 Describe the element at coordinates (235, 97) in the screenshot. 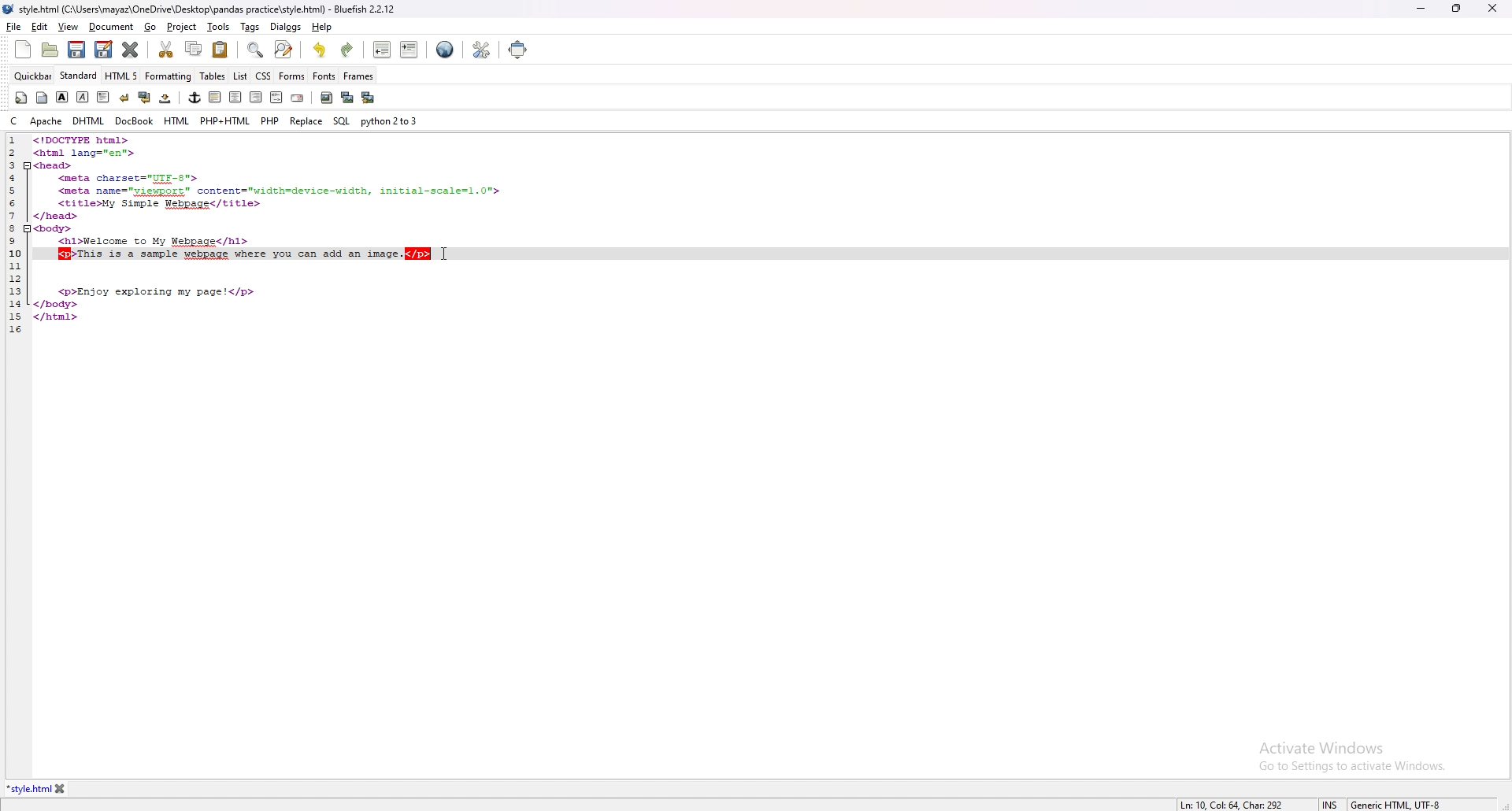

I see `center` at that location.